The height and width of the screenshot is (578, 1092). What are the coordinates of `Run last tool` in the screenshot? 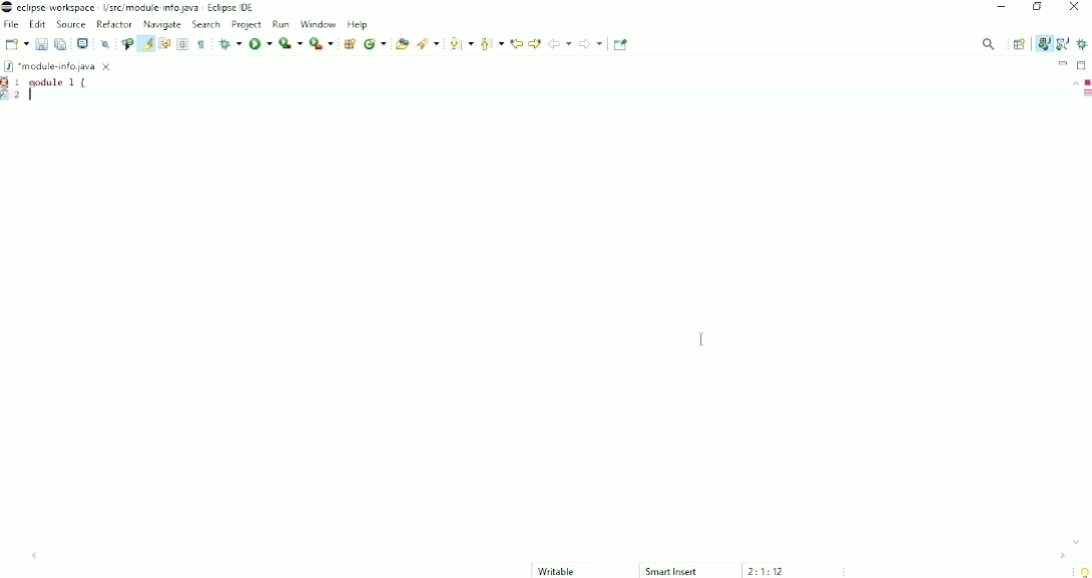 It's located at (322, 44).